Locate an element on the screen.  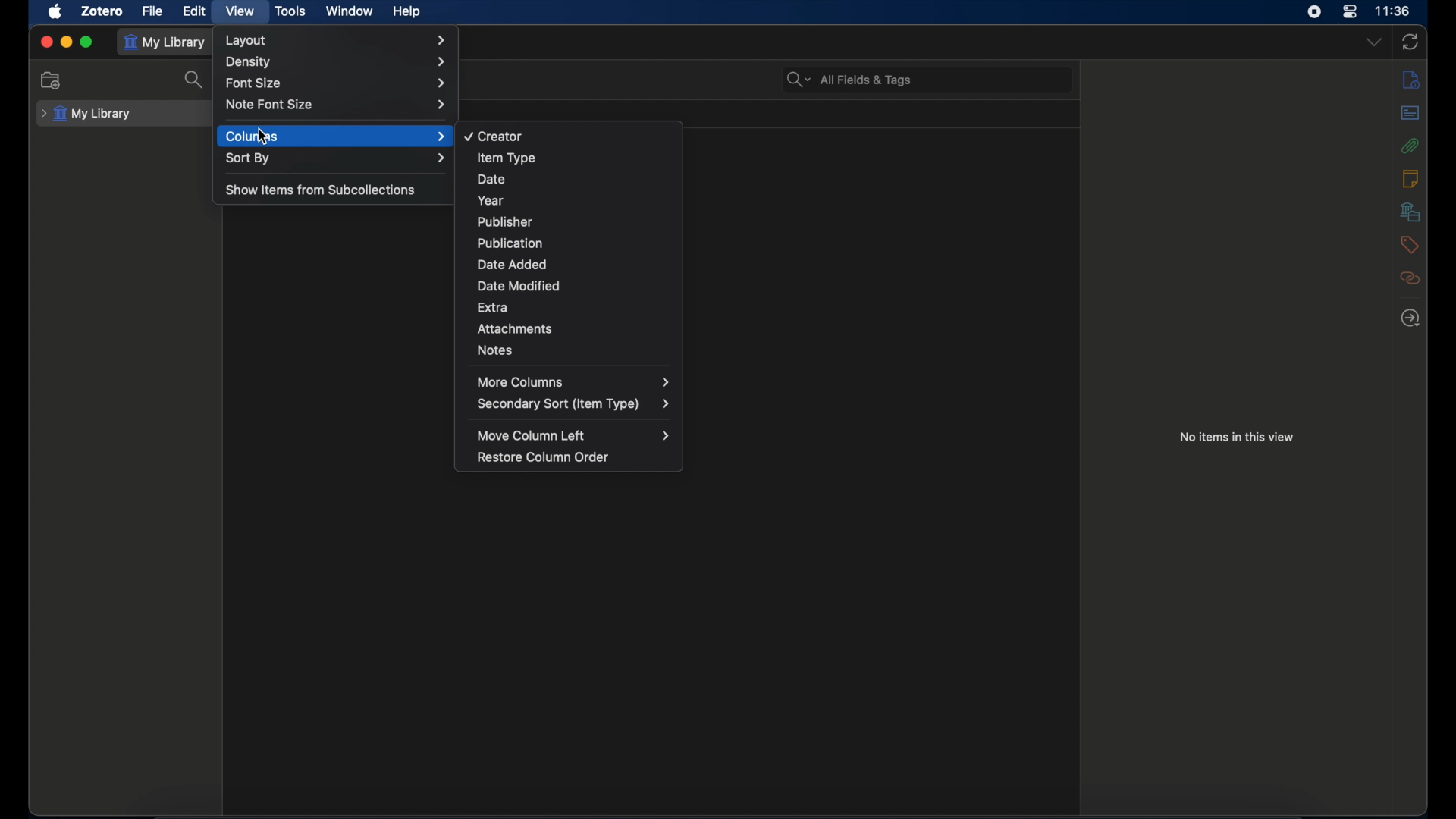
zotero is located at coordinates (102, 11).